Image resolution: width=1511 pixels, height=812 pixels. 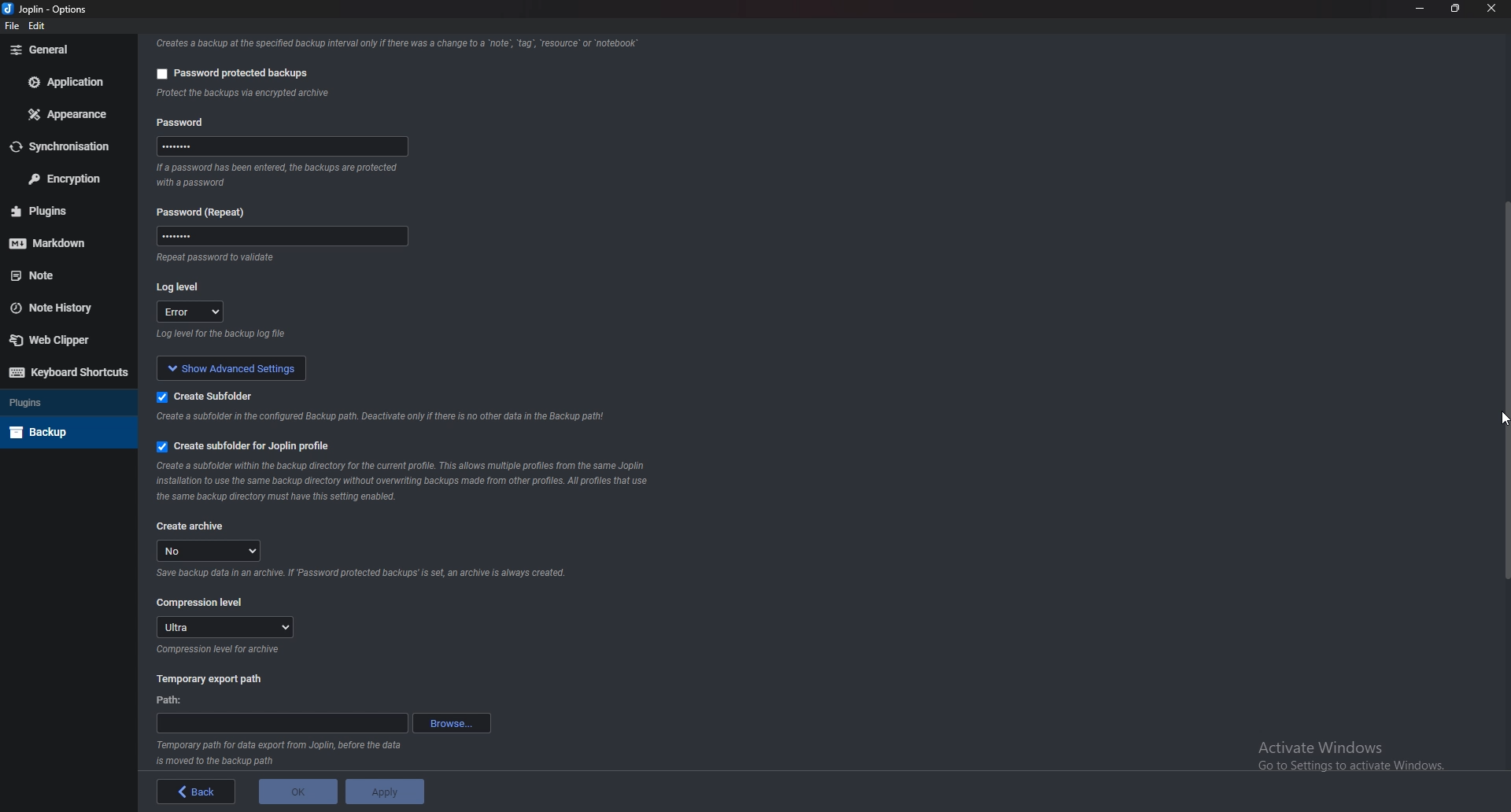 What do you see at coordinates (220, 651) in the screenshot?
I see `Info` at bounding box center [220, 651].